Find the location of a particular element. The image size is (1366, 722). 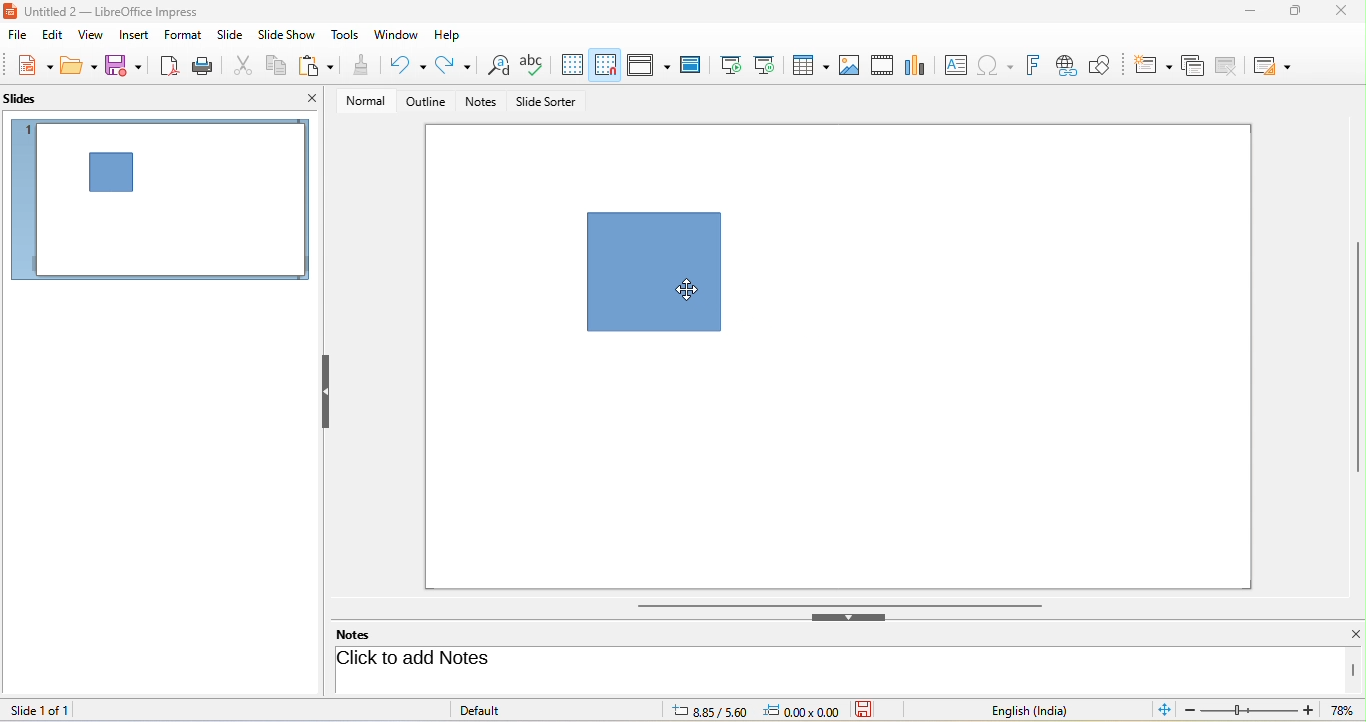

text box is located at coordinates (953, 65).